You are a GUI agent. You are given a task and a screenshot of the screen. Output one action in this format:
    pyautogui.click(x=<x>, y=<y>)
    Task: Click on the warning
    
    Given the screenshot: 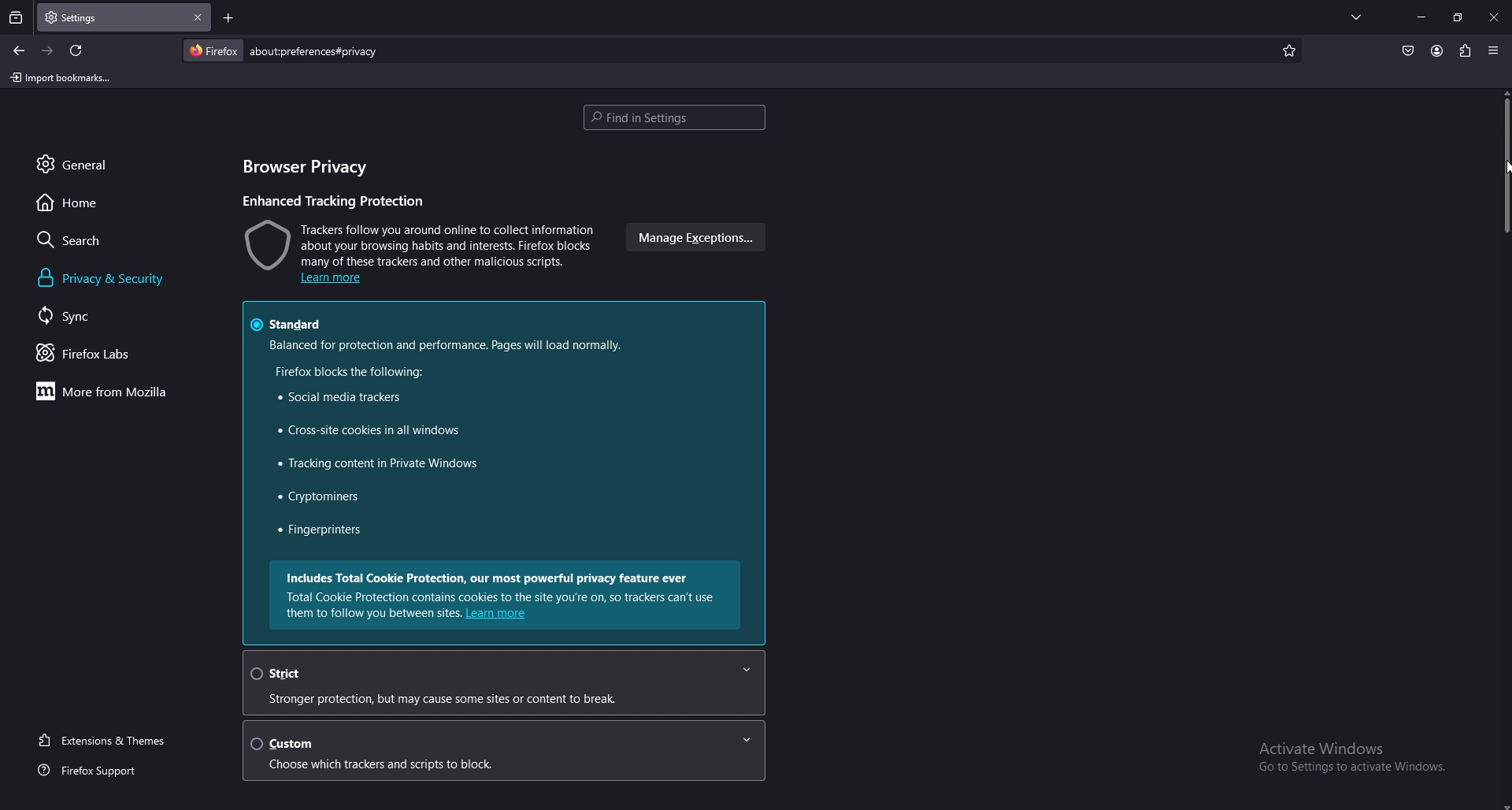 What is the action you would take?
    pyautogui.click(x=506, y=251)
    